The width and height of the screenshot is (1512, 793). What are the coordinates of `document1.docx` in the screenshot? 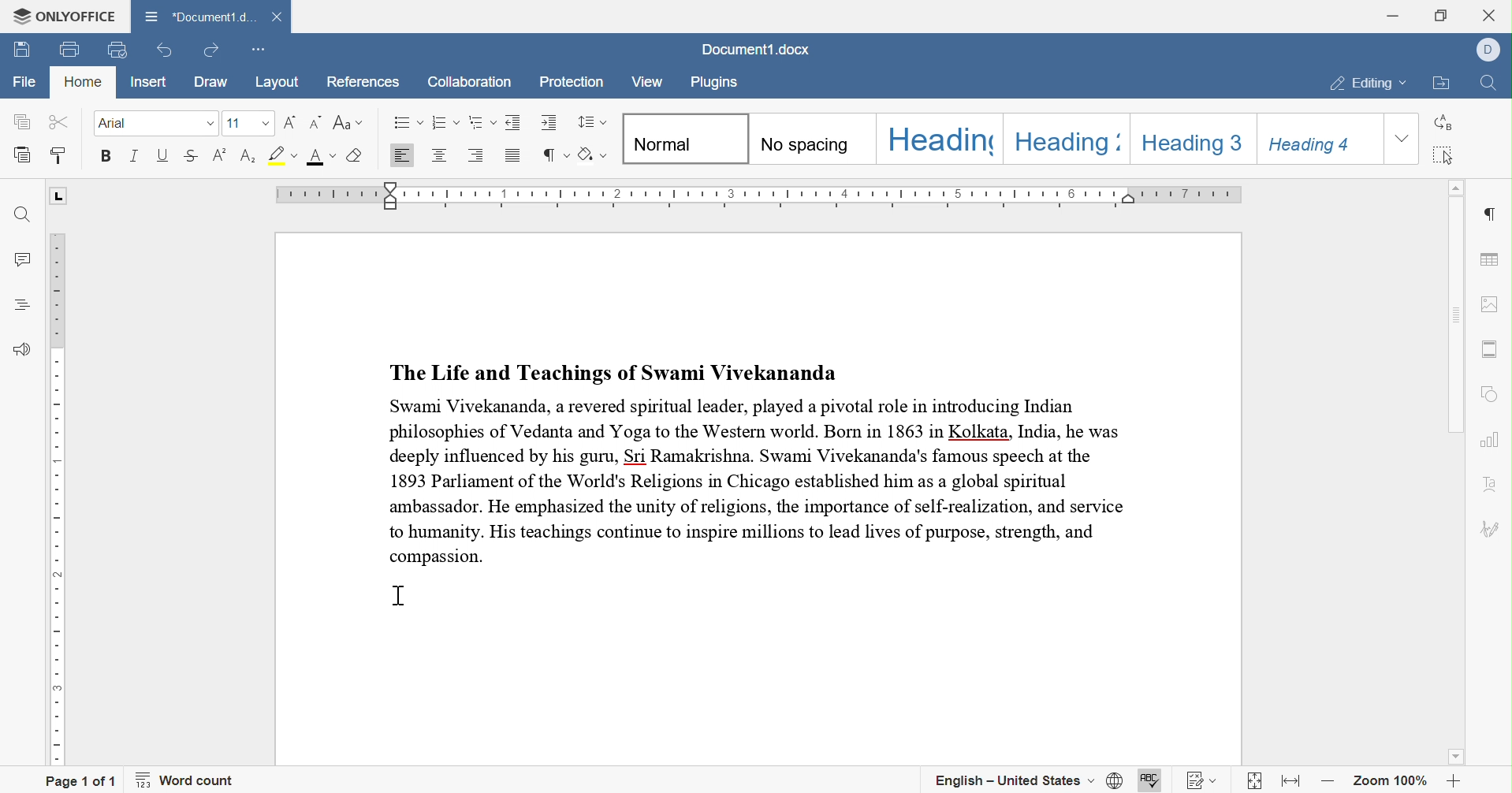 It's located at (752, 50).